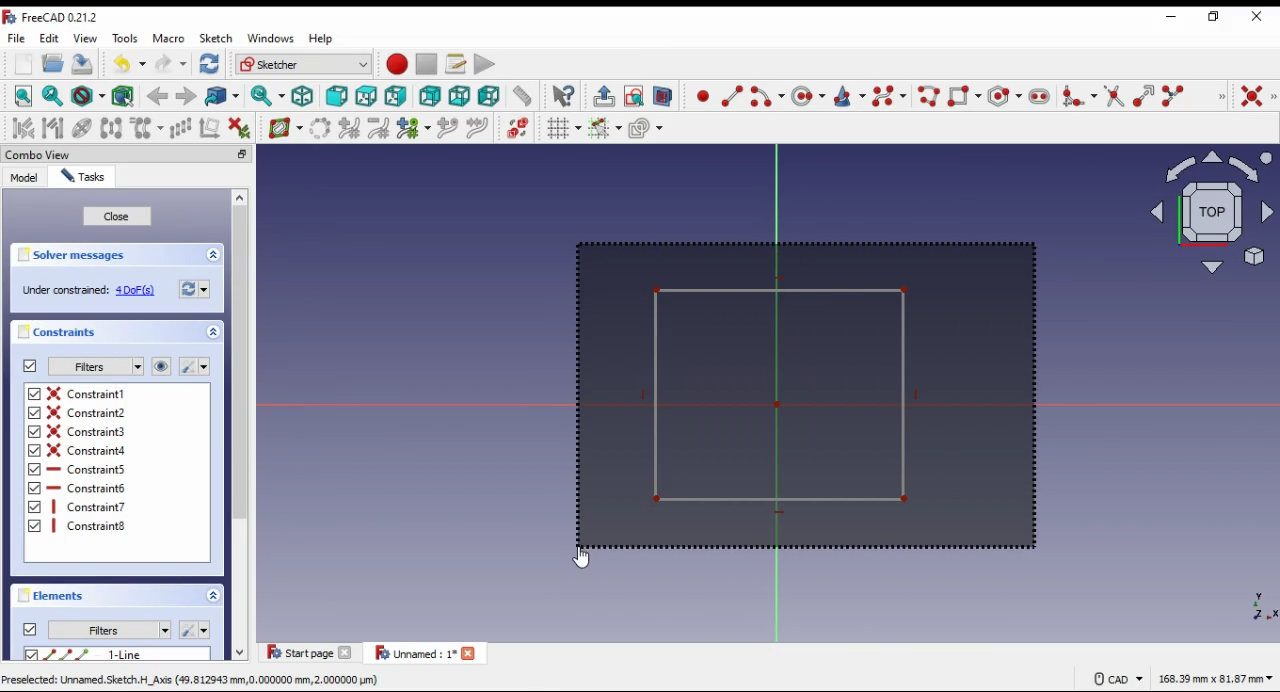 The width and height of the screenshot is (1280, 692). What do you see at coordinates (34, 462) in the screenshot?
I see `checkbox` at bounding box center [34, 462].